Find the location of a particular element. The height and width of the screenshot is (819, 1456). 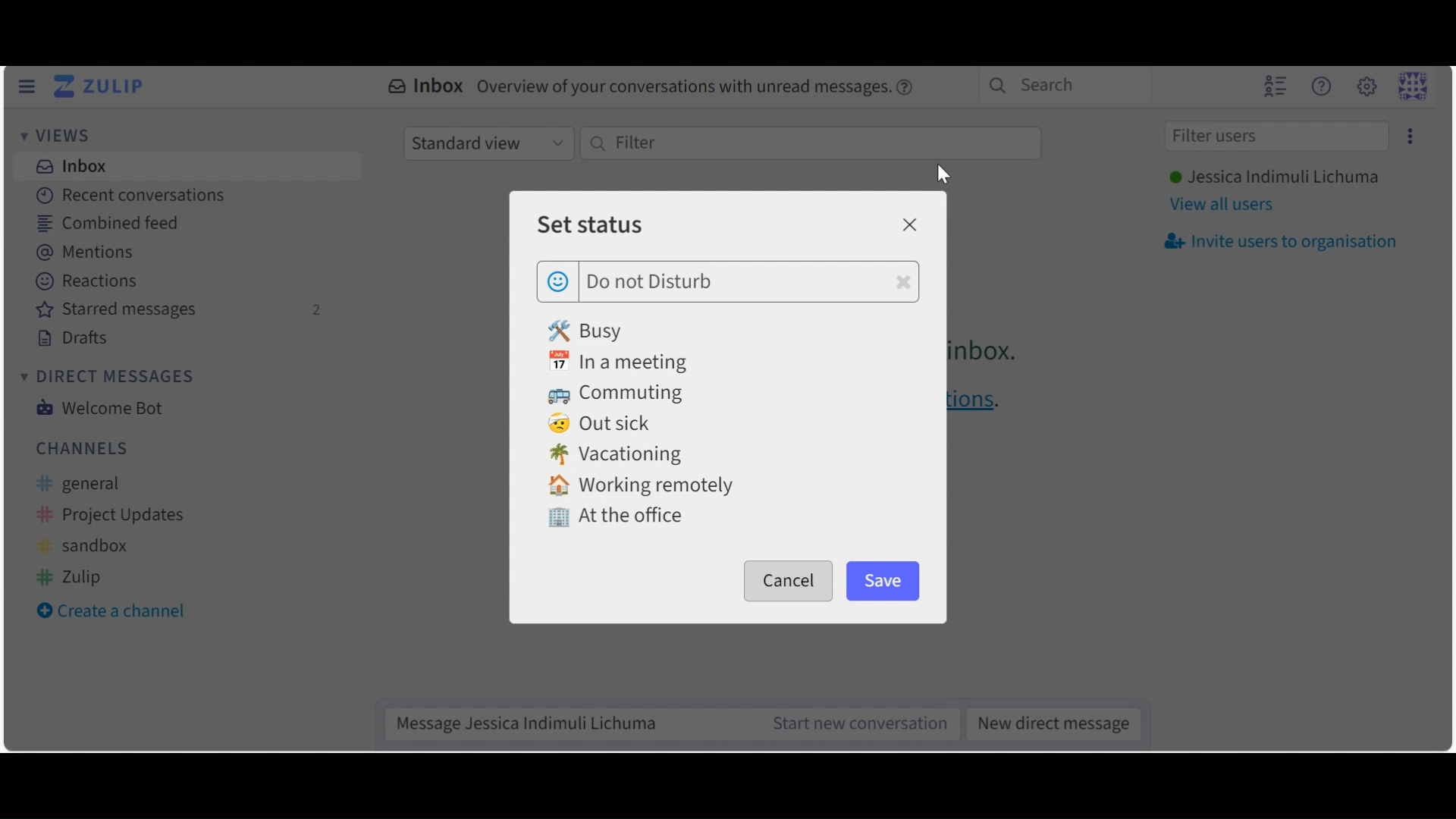

Commuting is located at coordinates (622, 395).